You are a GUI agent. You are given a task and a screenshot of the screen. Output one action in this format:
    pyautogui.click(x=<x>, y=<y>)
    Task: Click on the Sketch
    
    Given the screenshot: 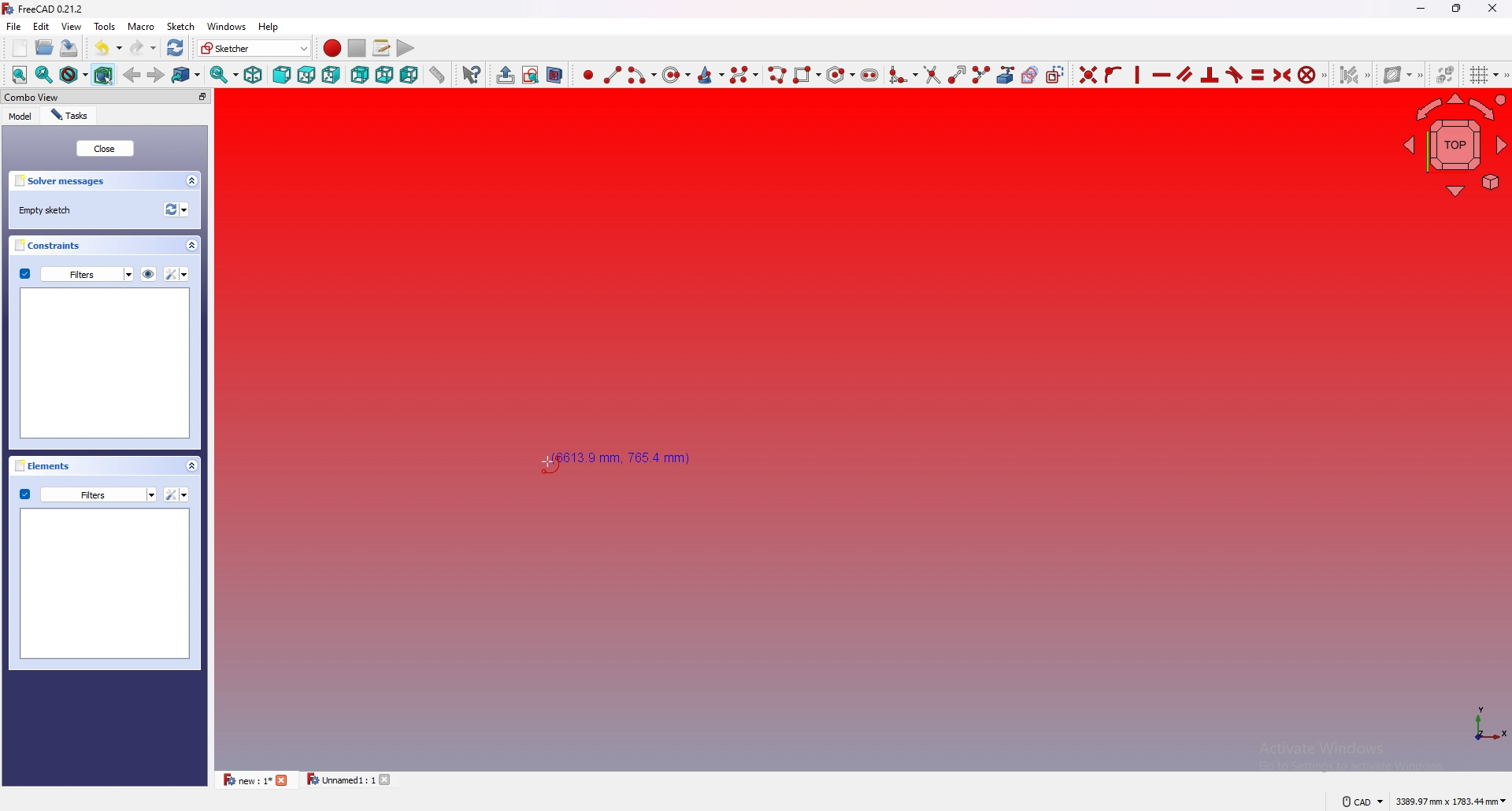 What is the action you would take?
    pyautogui.click(x=180, y=26)
    